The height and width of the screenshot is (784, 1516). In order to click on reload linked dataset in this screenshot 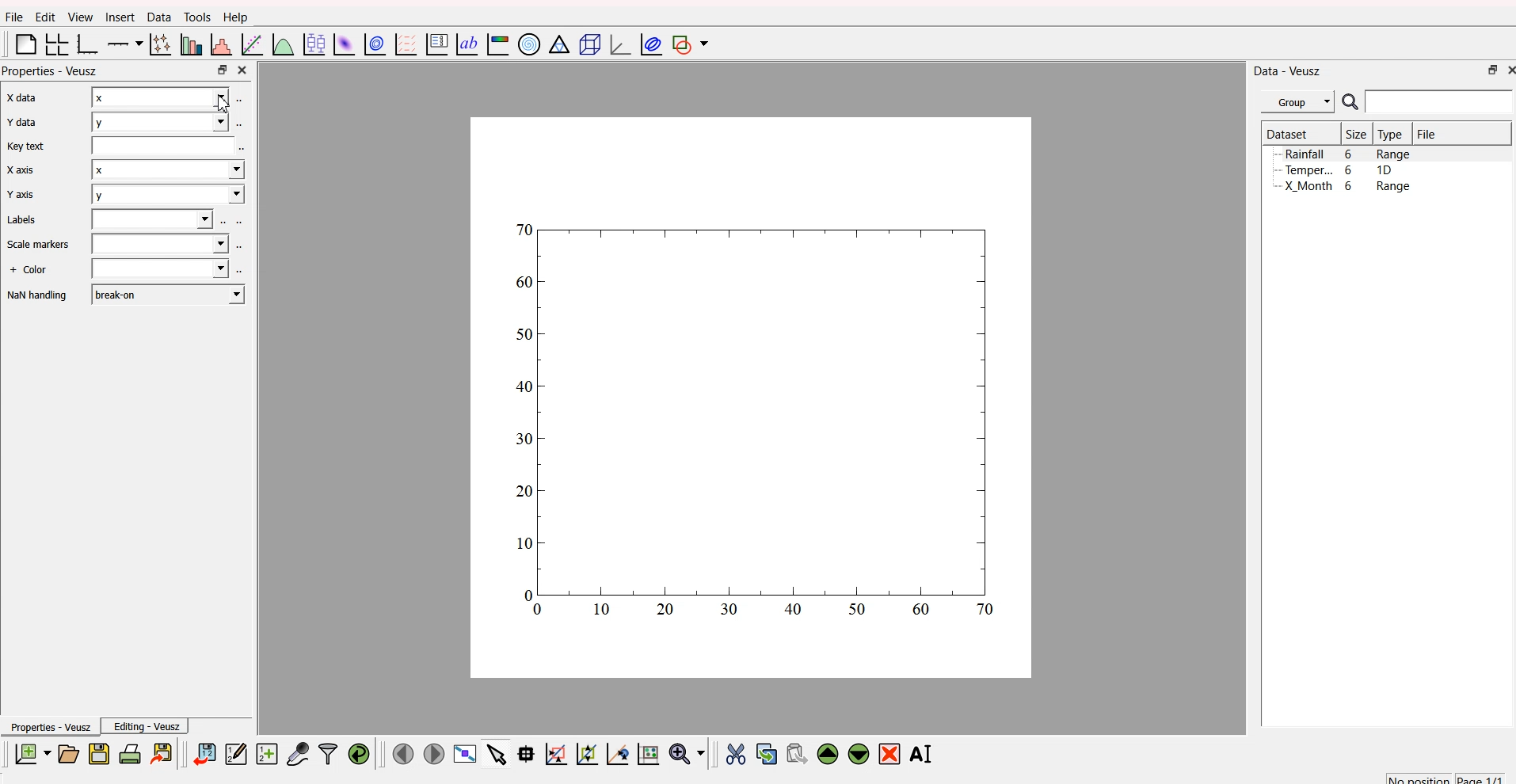, I will do `click(358, 752)`.